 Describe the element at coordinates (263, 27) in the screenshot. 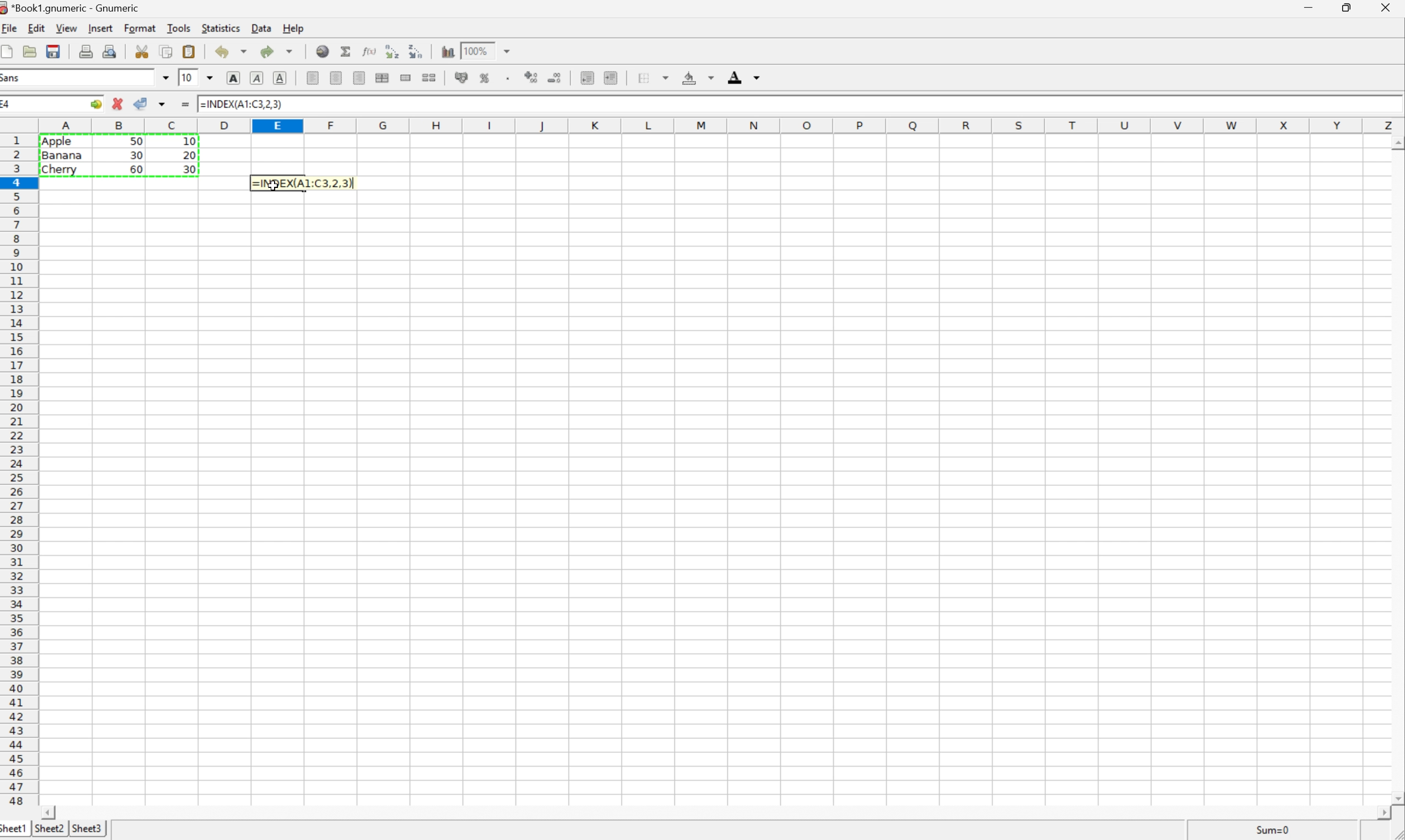

I see `data` at that location.